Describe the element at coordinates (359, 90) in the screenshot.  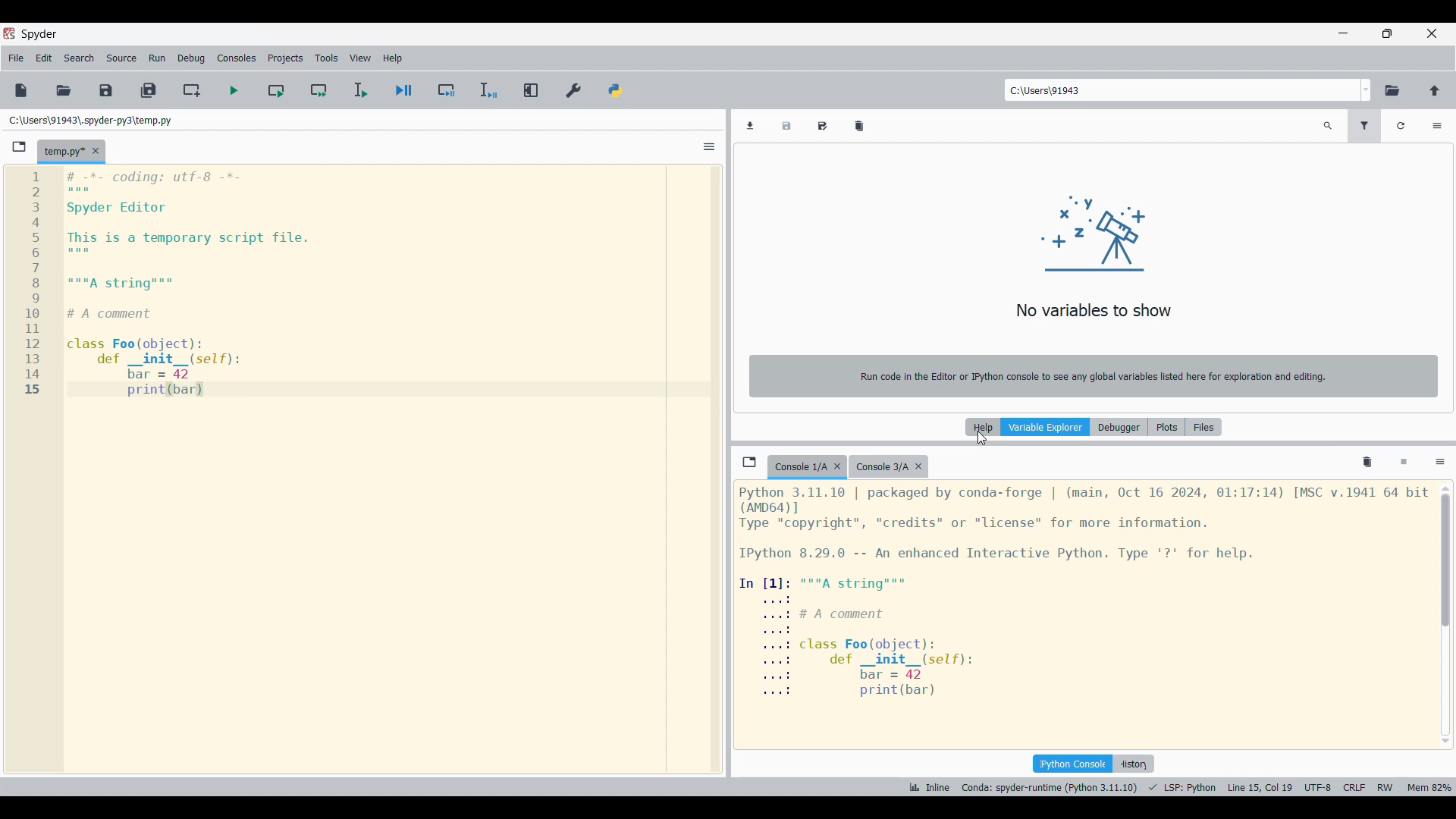
I see `Run selection/current line` at that location.